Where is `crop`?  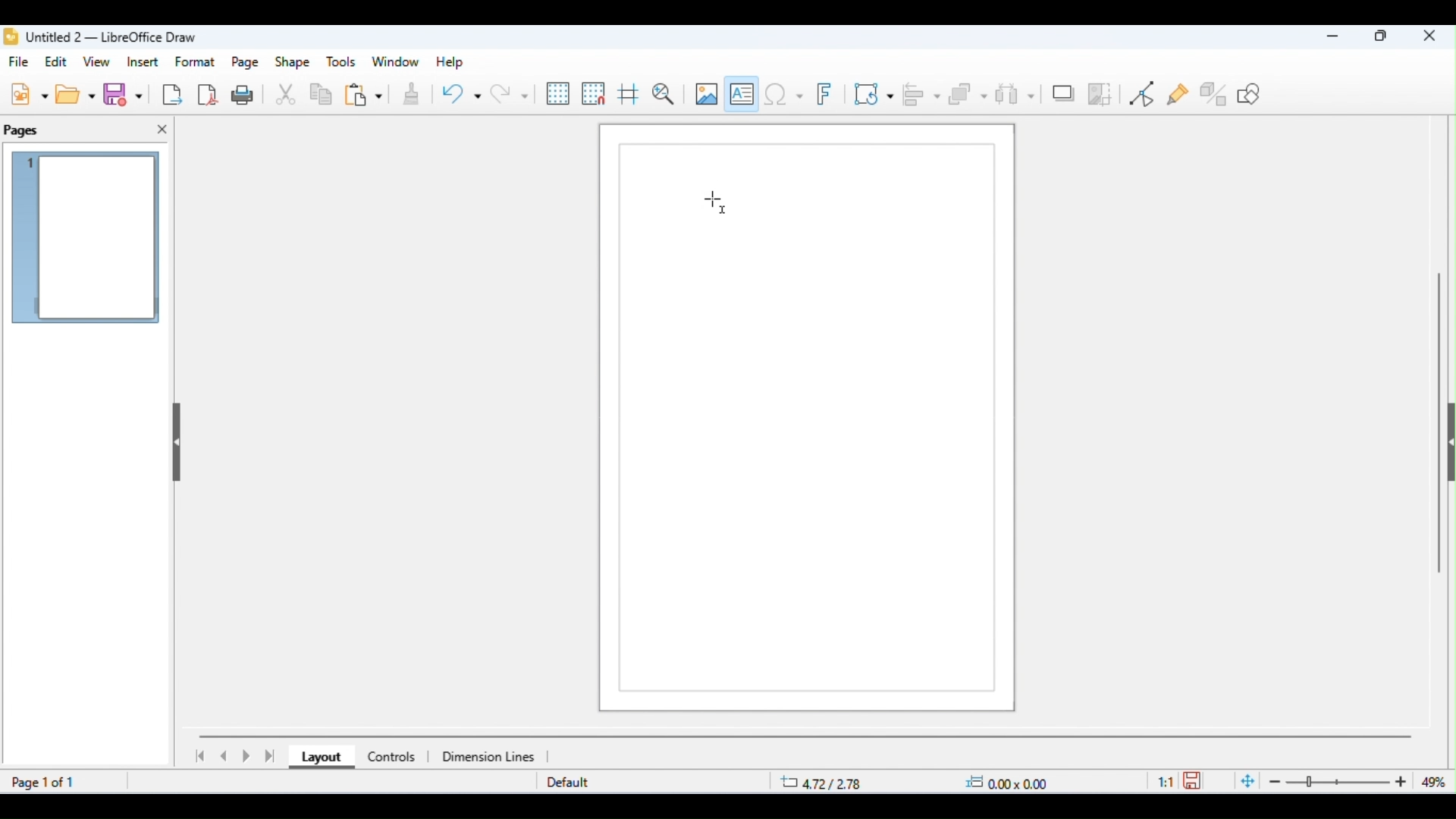
crop is located at coordinates (1100, 93).